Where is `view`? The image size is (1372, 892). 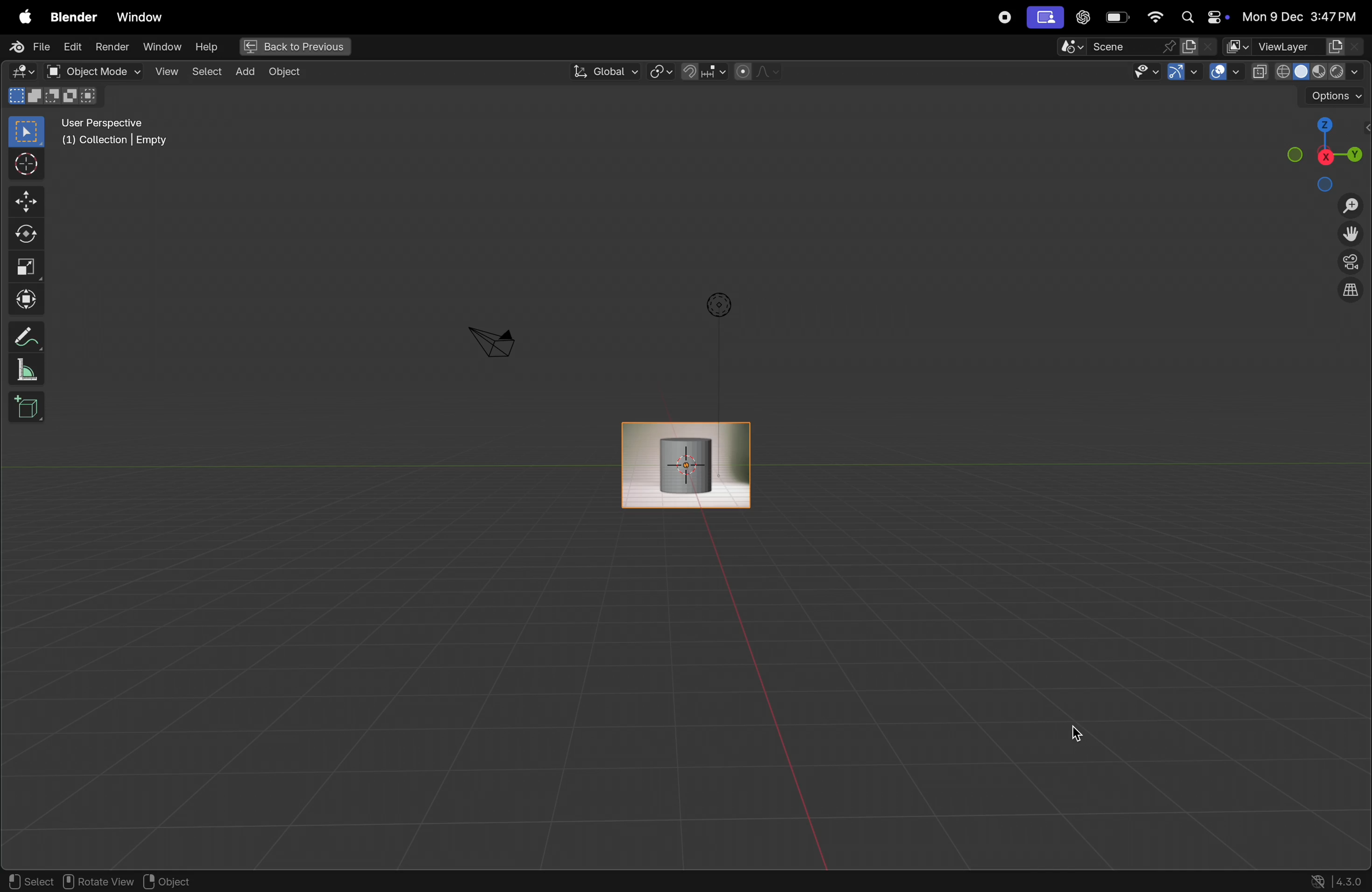 view is located at coordinates (164, 71).